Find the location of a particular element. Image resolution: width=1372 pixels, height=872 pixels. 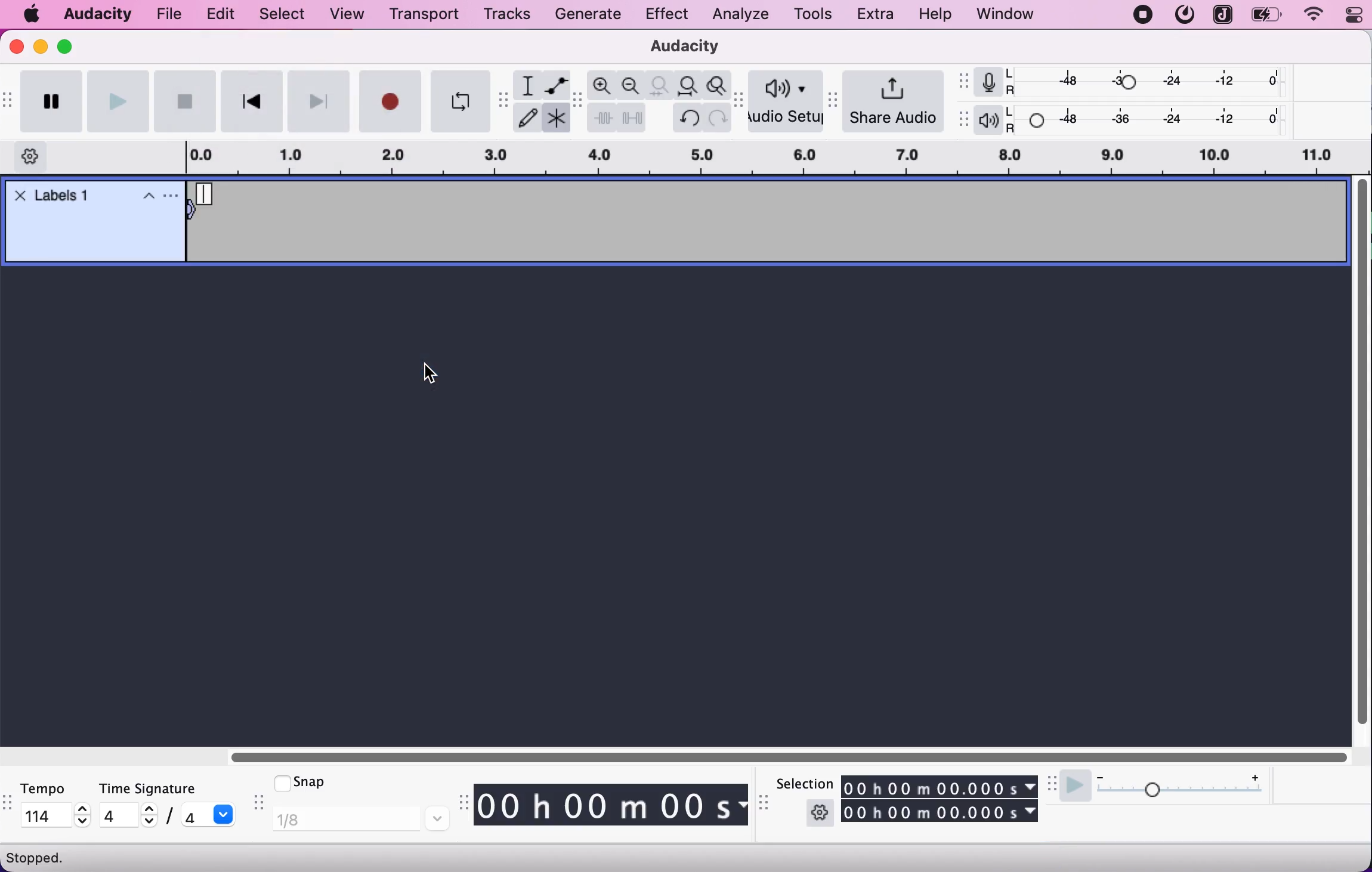

select is located at coordinates (280, 15).